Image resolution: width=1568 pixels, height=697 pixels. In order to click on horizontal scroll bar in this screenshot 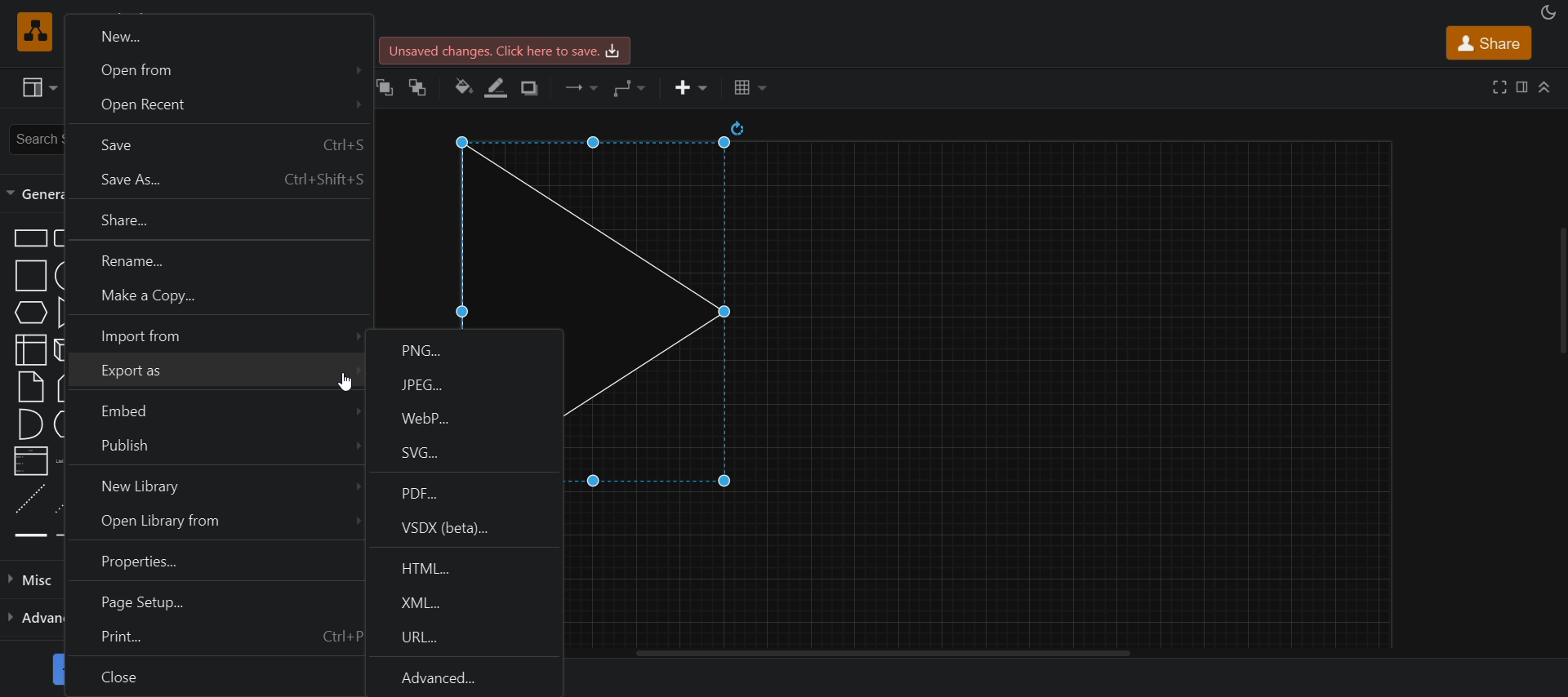, I will do `click(889, 654)`.